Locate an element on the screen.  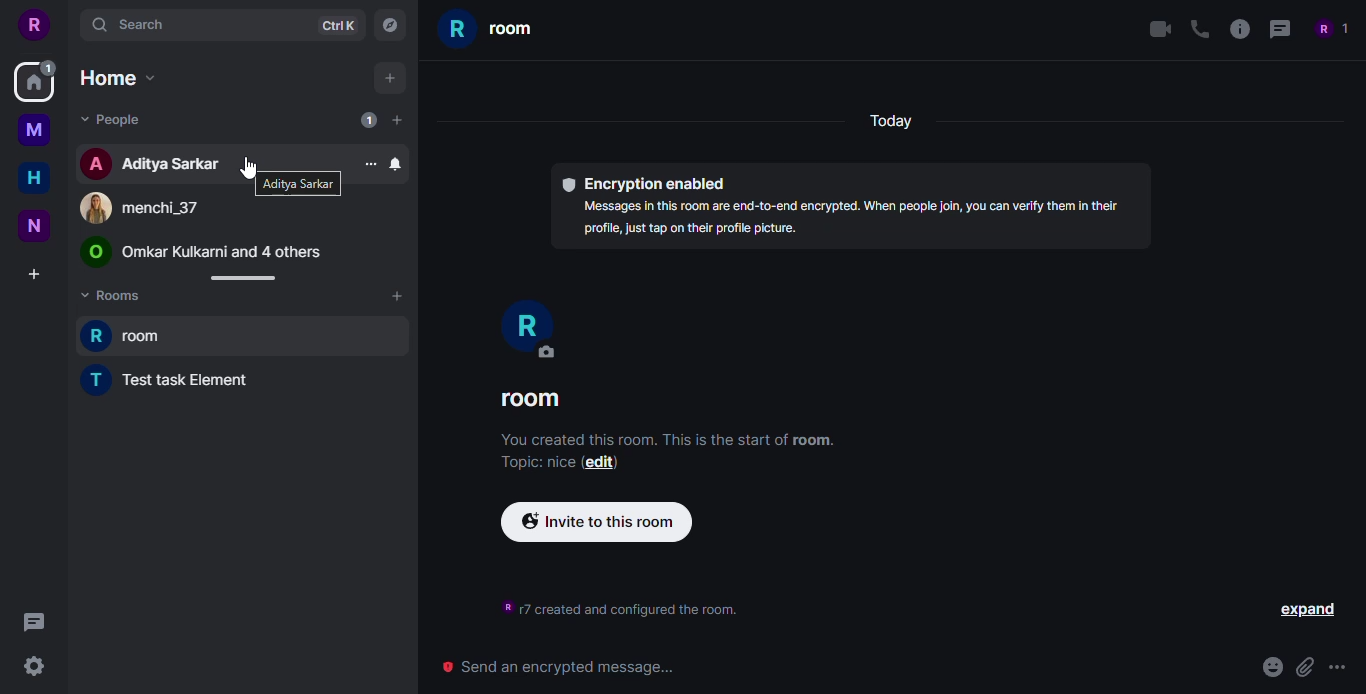
1 is located at coordinates (49, 67).